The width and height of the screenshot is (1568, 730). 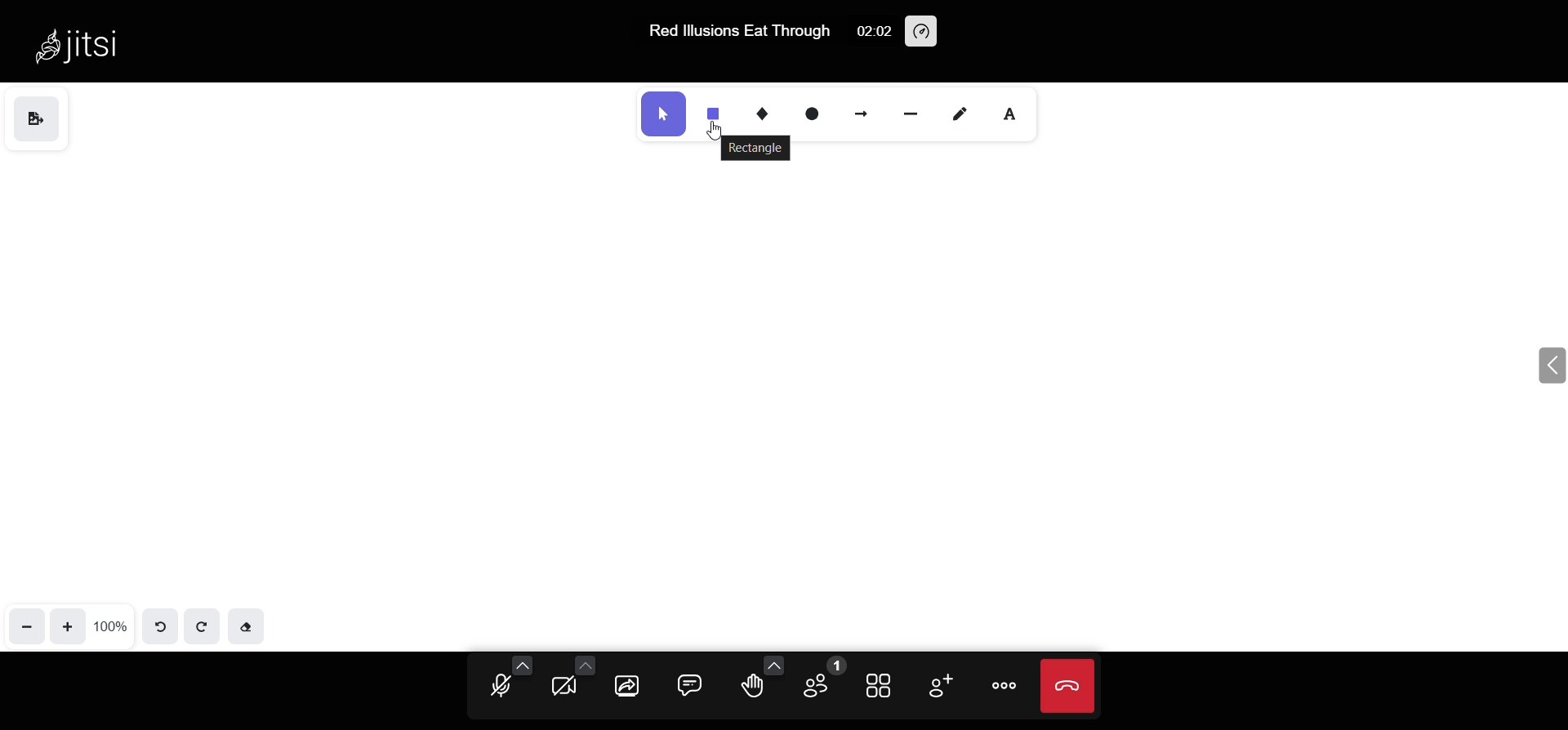 I want to click on rectangle, so click(x=756, y=148).